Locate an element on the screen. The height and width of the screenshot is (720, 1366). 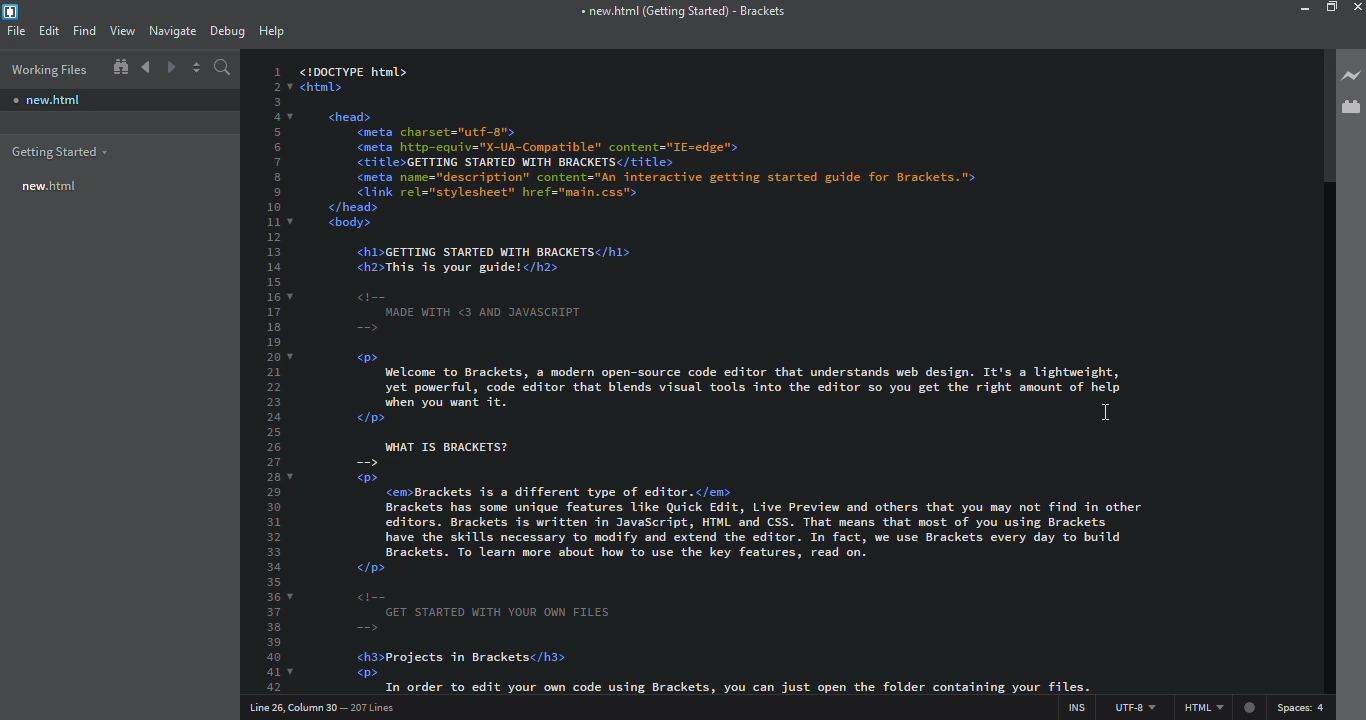
navigate back is located at coordinates (146, 67).